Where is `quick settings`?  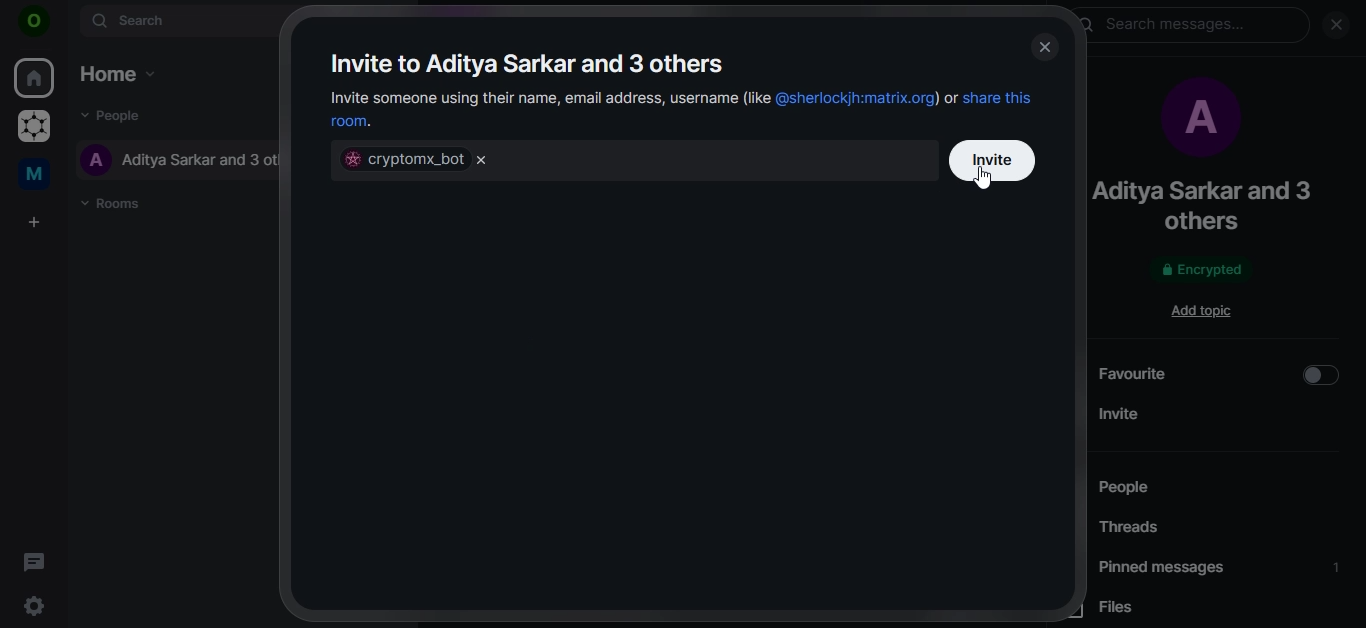 quick settings is located at coordinates (37, 606).